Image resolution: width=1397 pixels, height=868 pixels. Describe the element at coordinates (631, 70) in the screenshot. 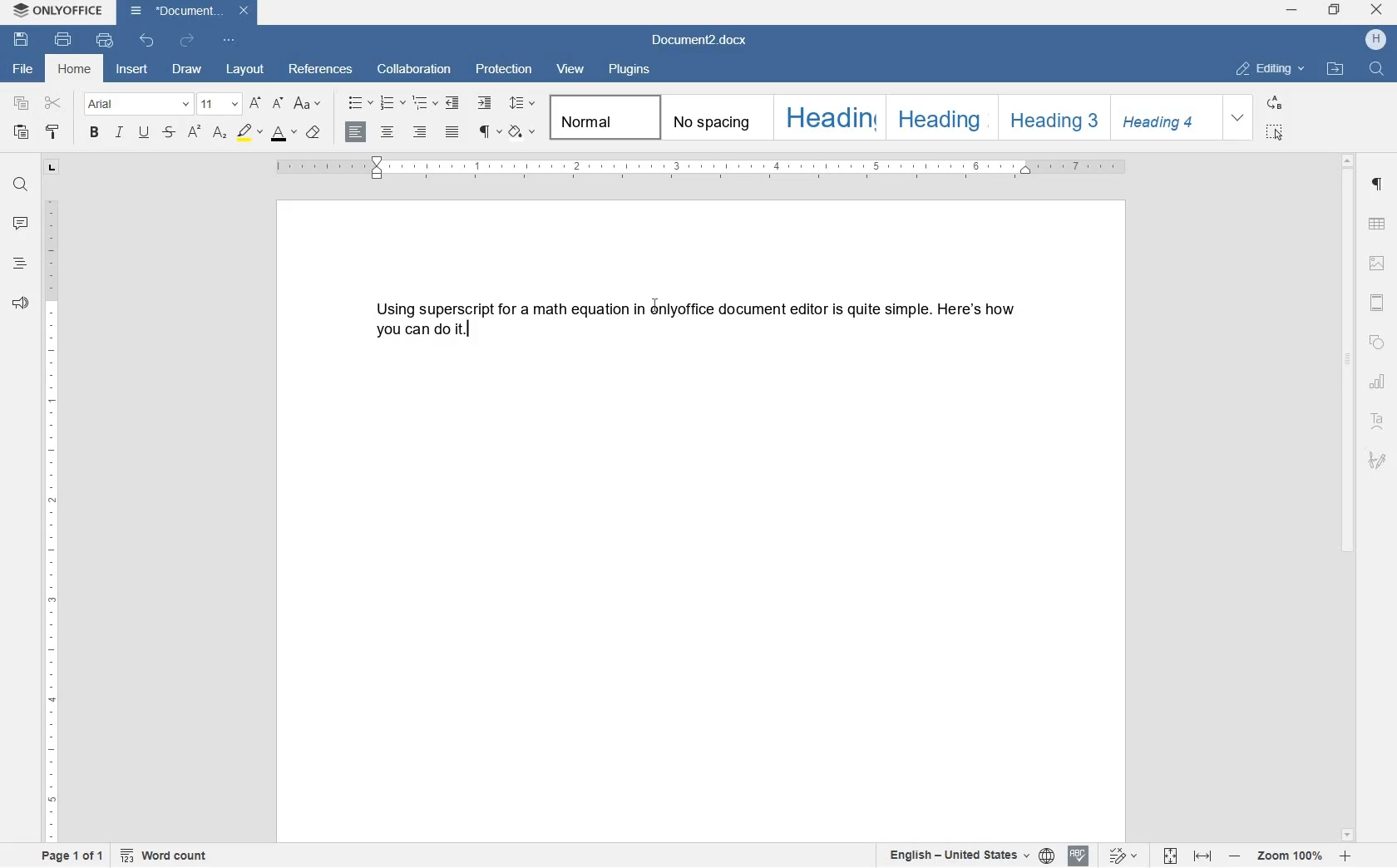

I see `plugins` at that location.